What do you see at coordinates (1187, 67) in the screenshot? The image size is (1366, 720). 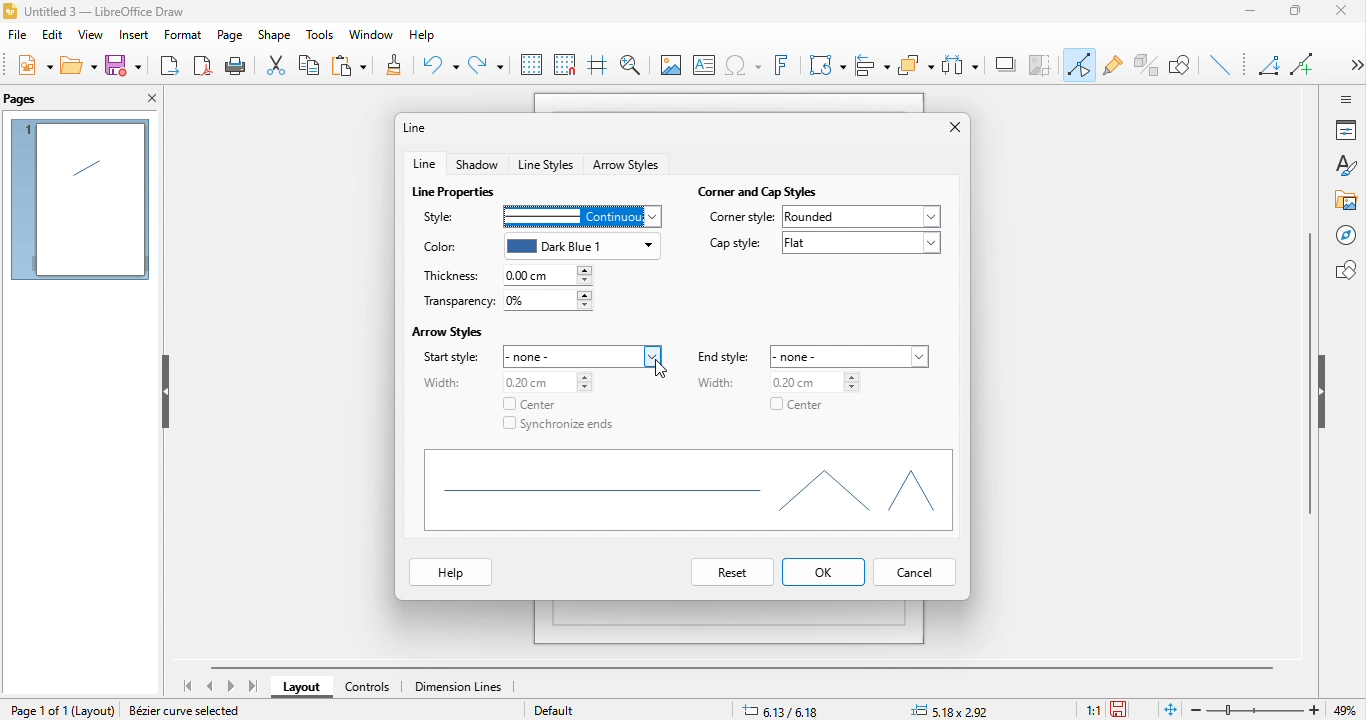 I see `show the draw function` at bounding box center [1187, 67].